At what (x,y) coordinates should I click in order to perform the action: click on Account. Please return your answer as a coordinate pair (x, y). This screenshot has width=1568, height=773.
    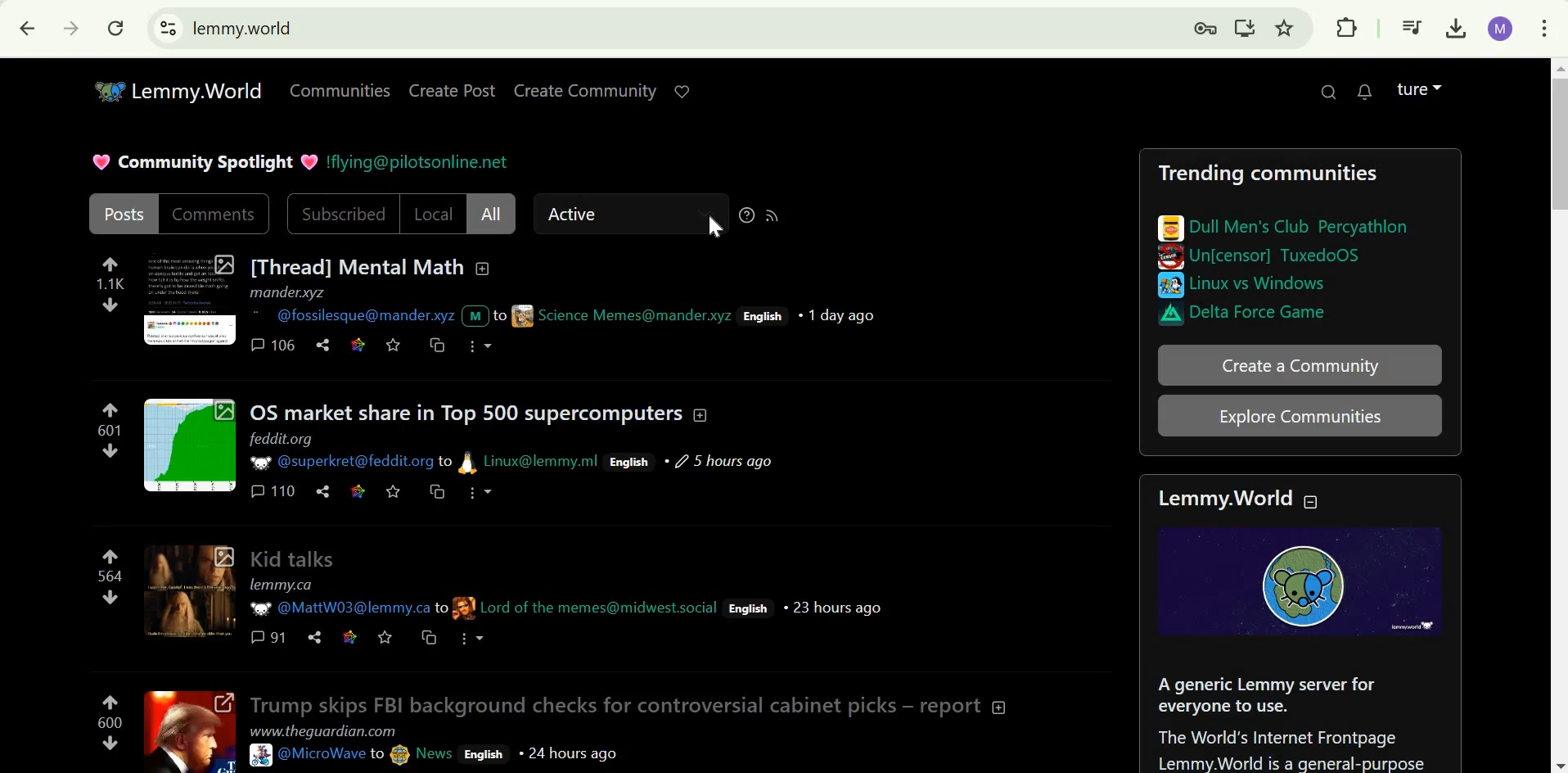
    Looking at the image, I should click on (1418, 89).